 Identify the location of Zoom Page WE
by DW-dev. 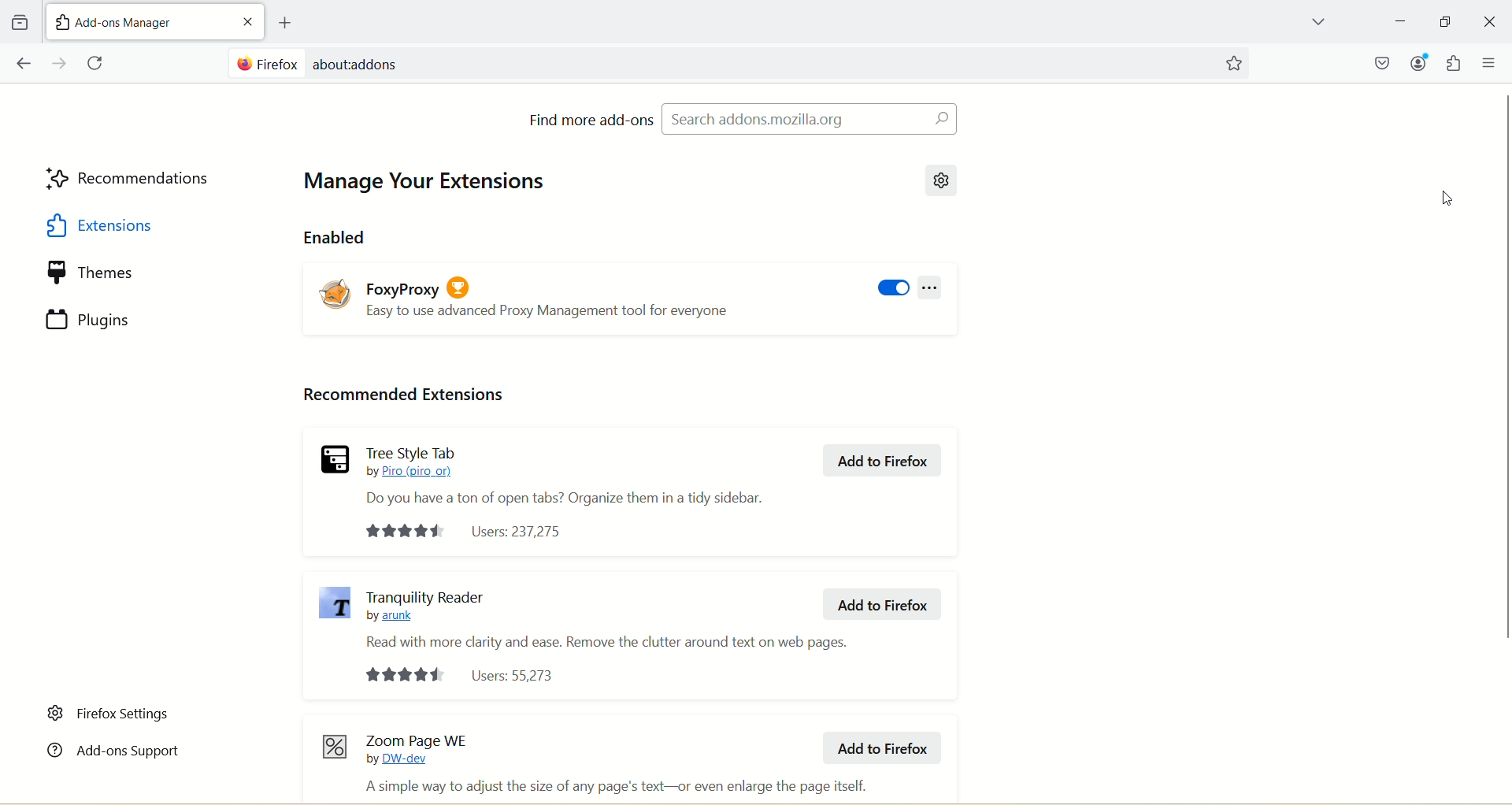
(418, 748).